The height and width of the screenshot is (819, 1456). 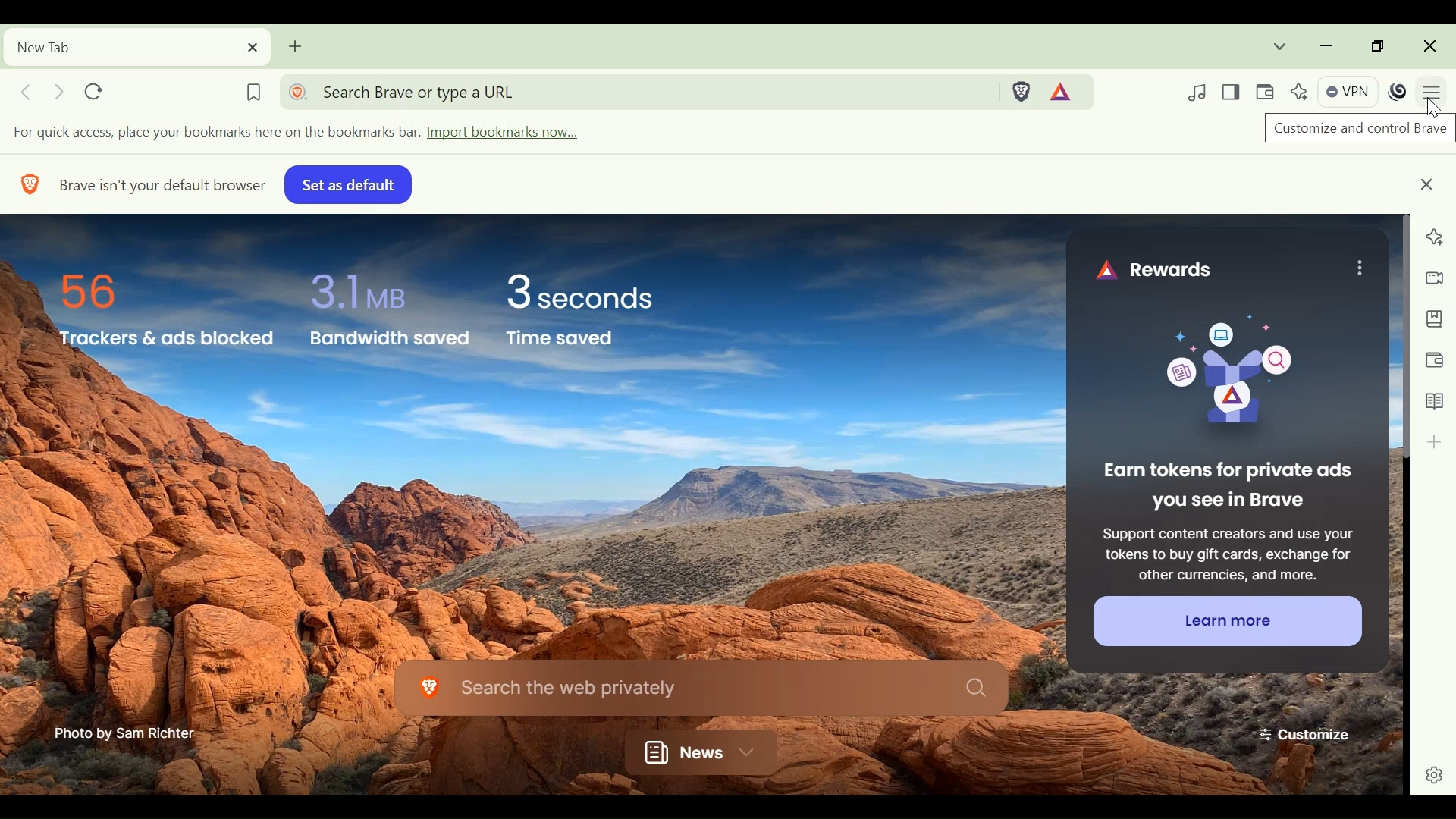 I want to click on Bookmark, so click(x=1432, y=315).